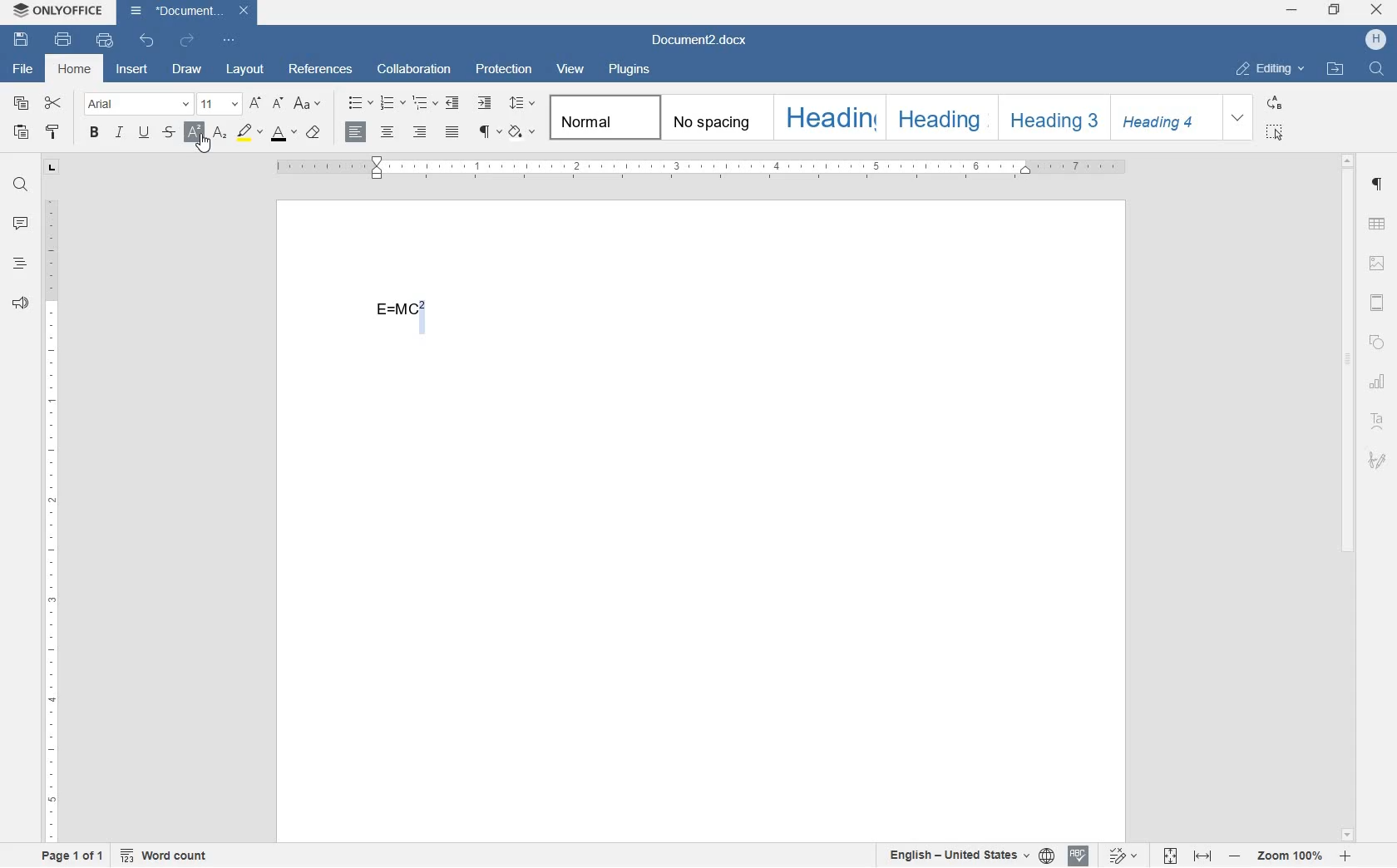  I want to click on scrollbar, so click(1350, 497).